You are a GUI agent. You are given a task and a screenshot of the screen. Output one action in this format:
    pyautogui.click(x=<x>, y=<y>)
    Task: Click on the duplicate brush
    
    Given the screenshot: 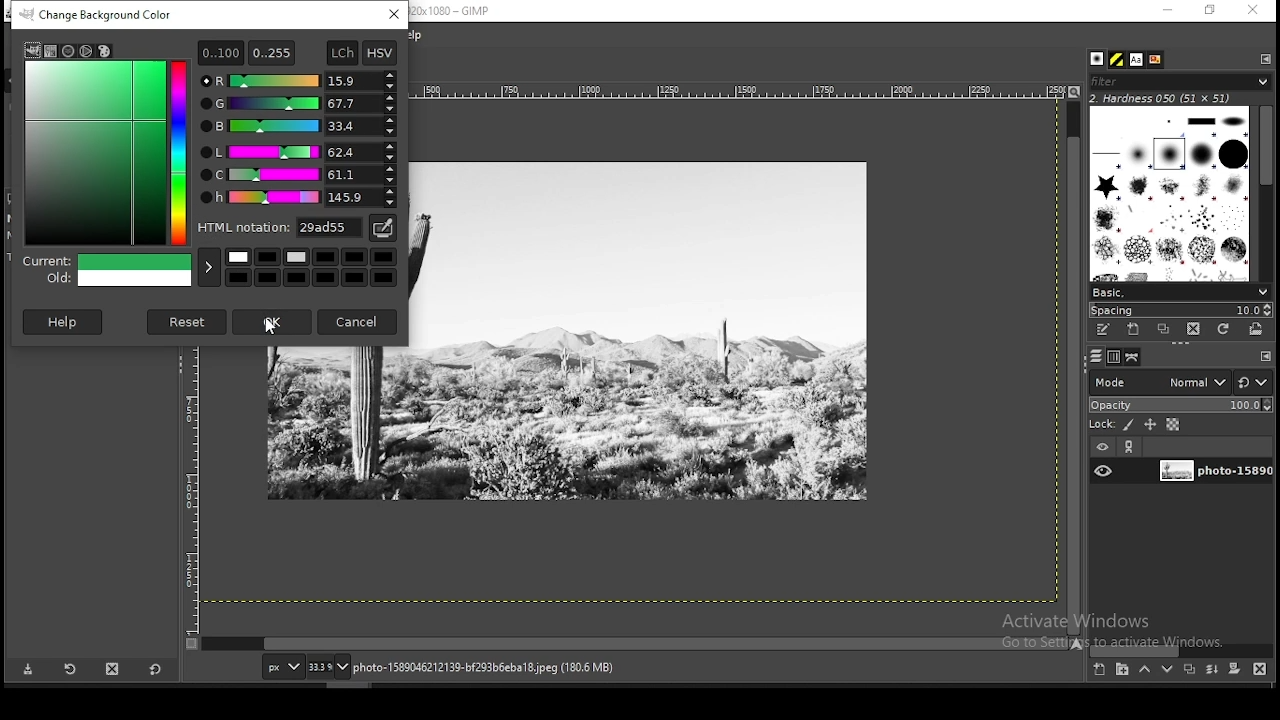 What is the action you would take?
    pyautogui.click(x=1163, y=330)
    